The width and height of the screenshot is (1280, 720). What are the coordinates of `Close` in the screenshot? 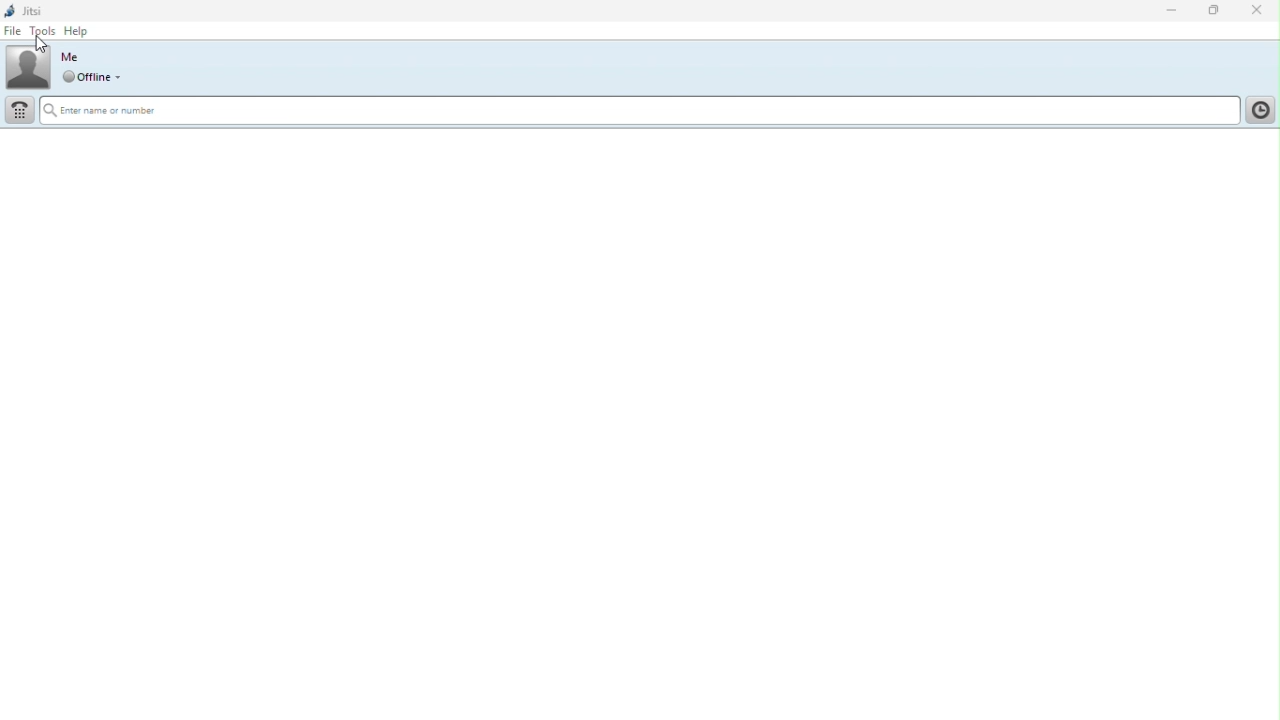 It's located at (1257, 11).